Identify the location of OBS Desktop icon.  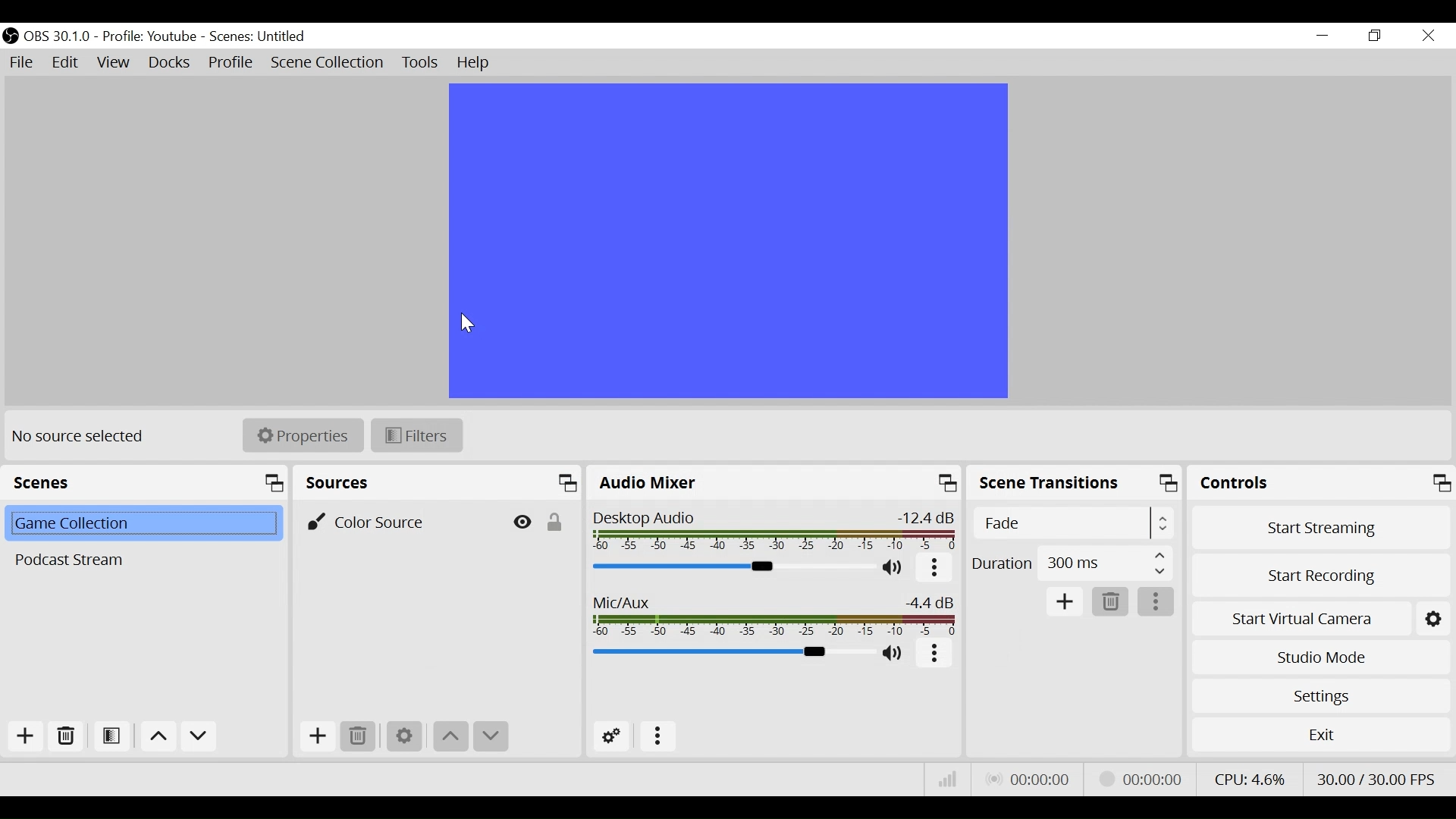
(11, 36).